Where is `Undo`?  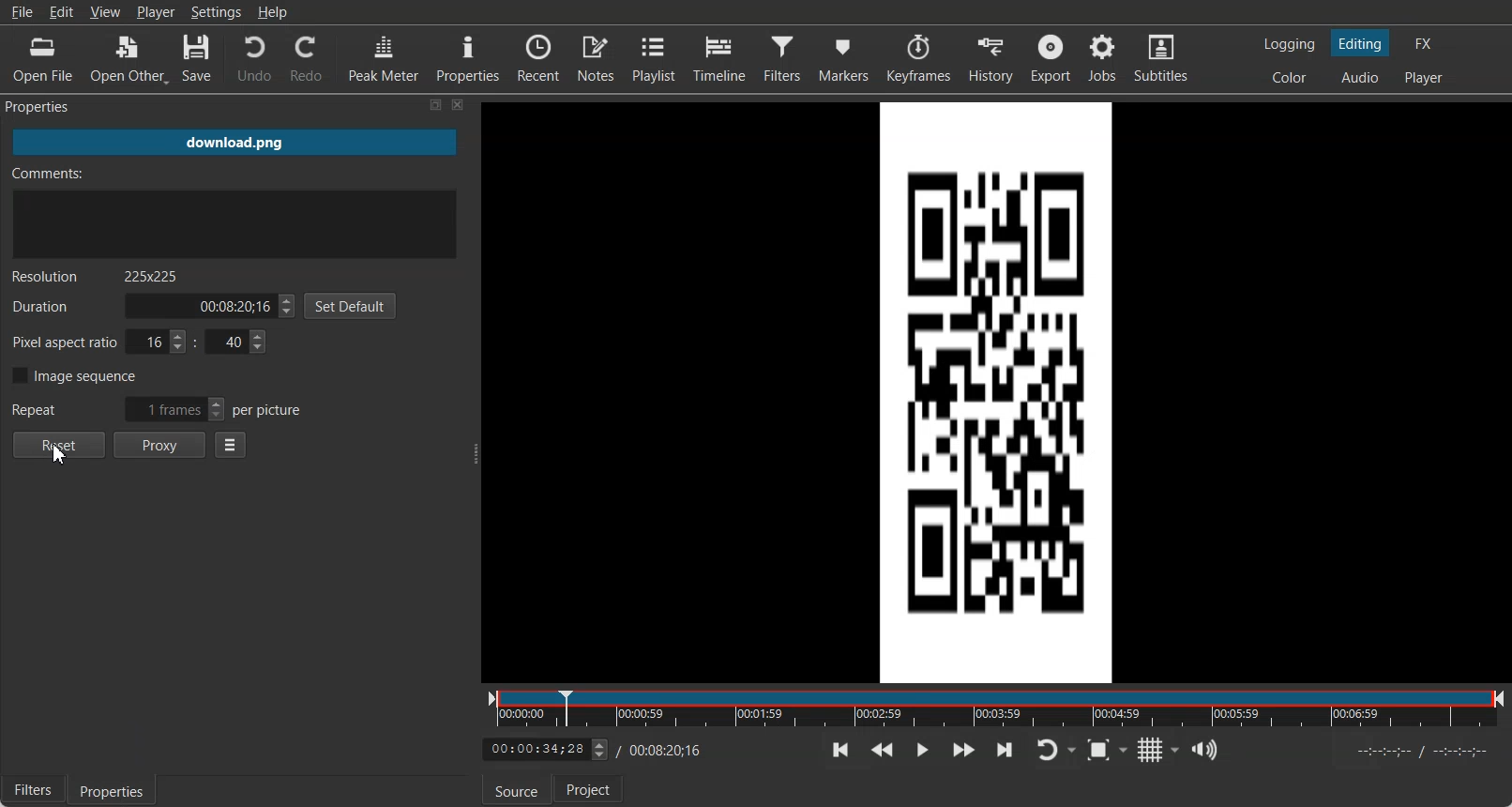 Undo is located at coordinates (252, 58).